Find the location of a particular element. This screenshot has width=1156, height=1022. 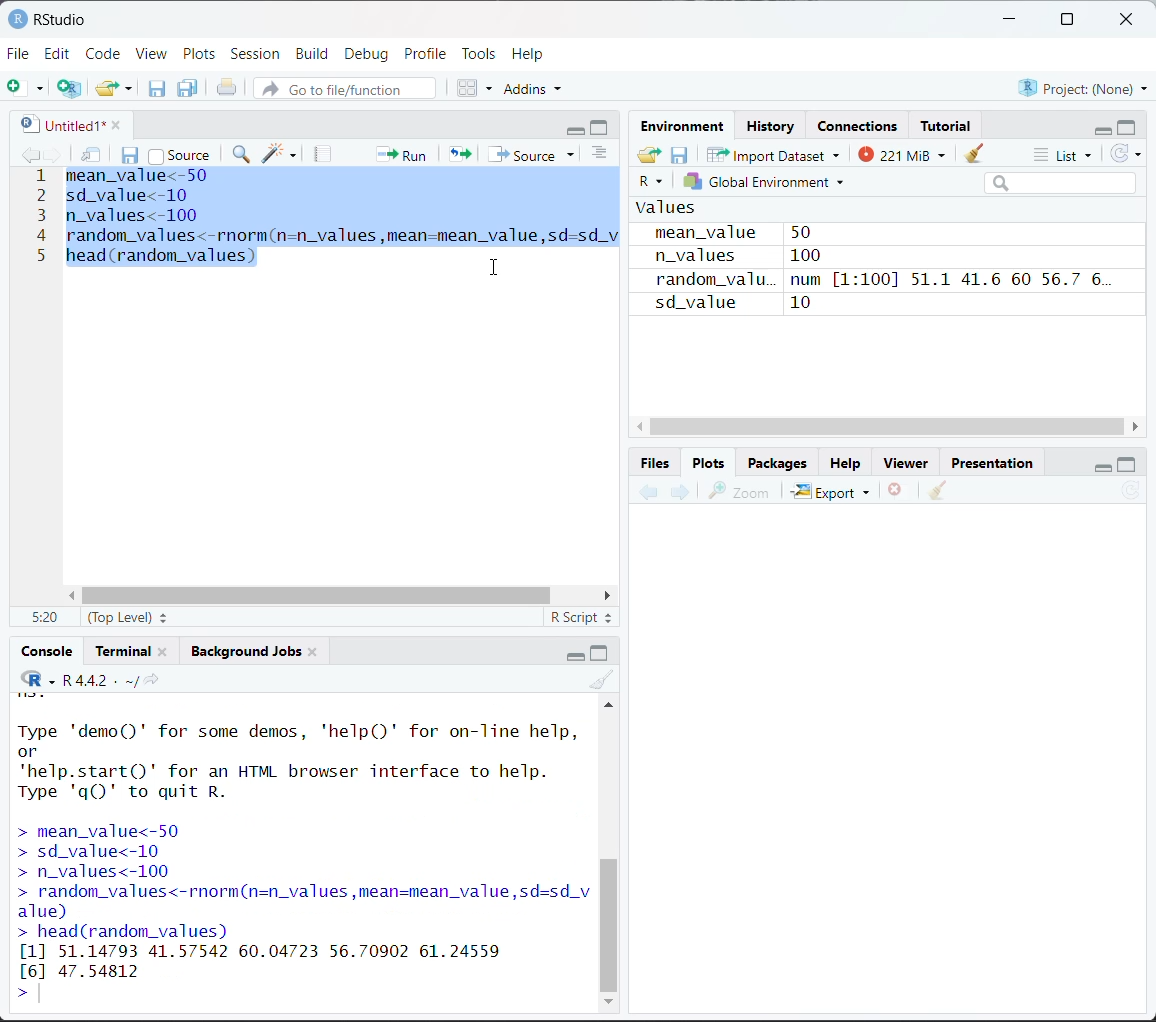

list is located at coordinates (1066, 156).